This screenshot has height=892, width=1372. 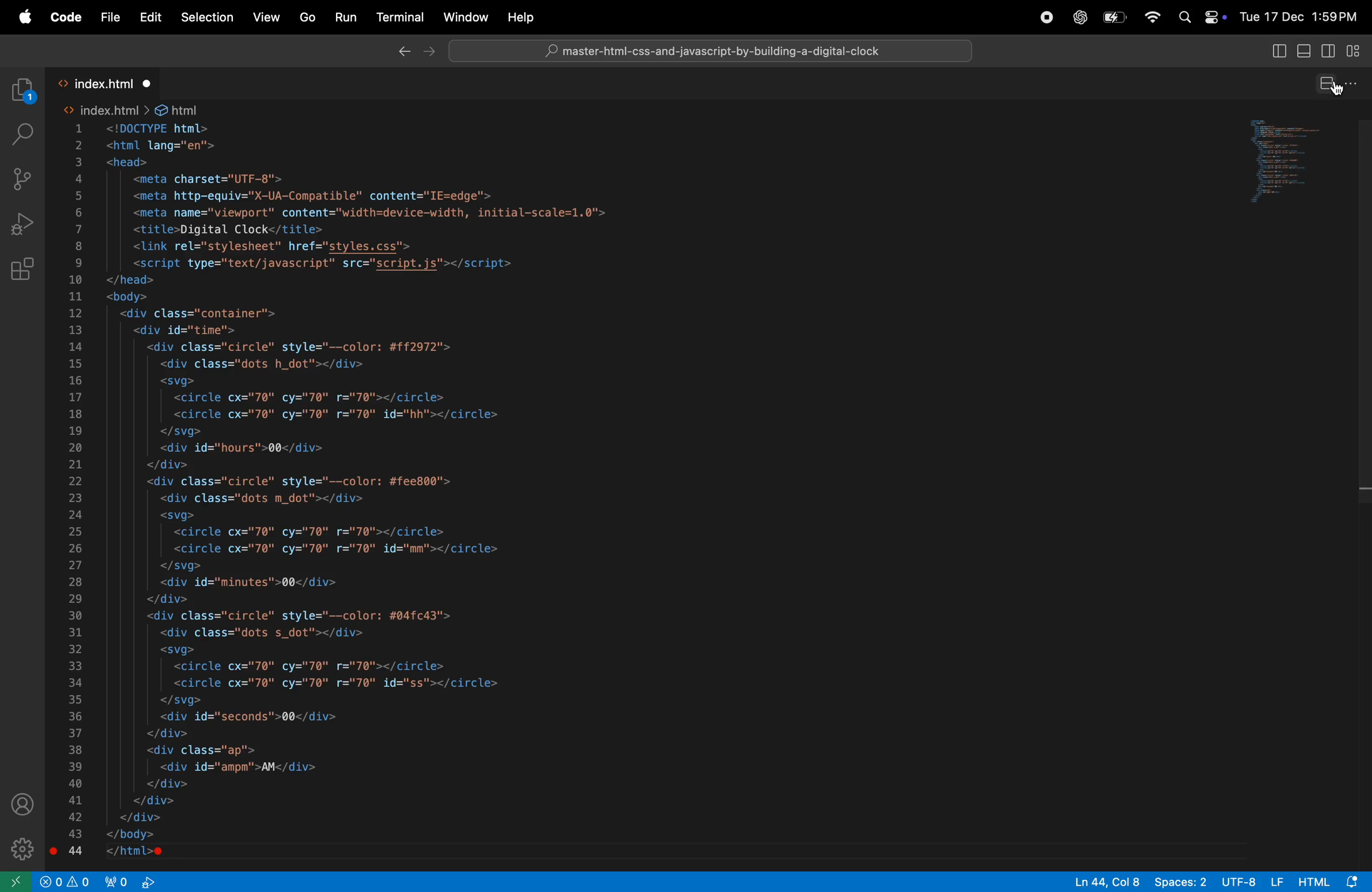 What do you see at coordinates (715, 52) in the screenshot?
I see `master-html-css` at bounding box center [715, 52].